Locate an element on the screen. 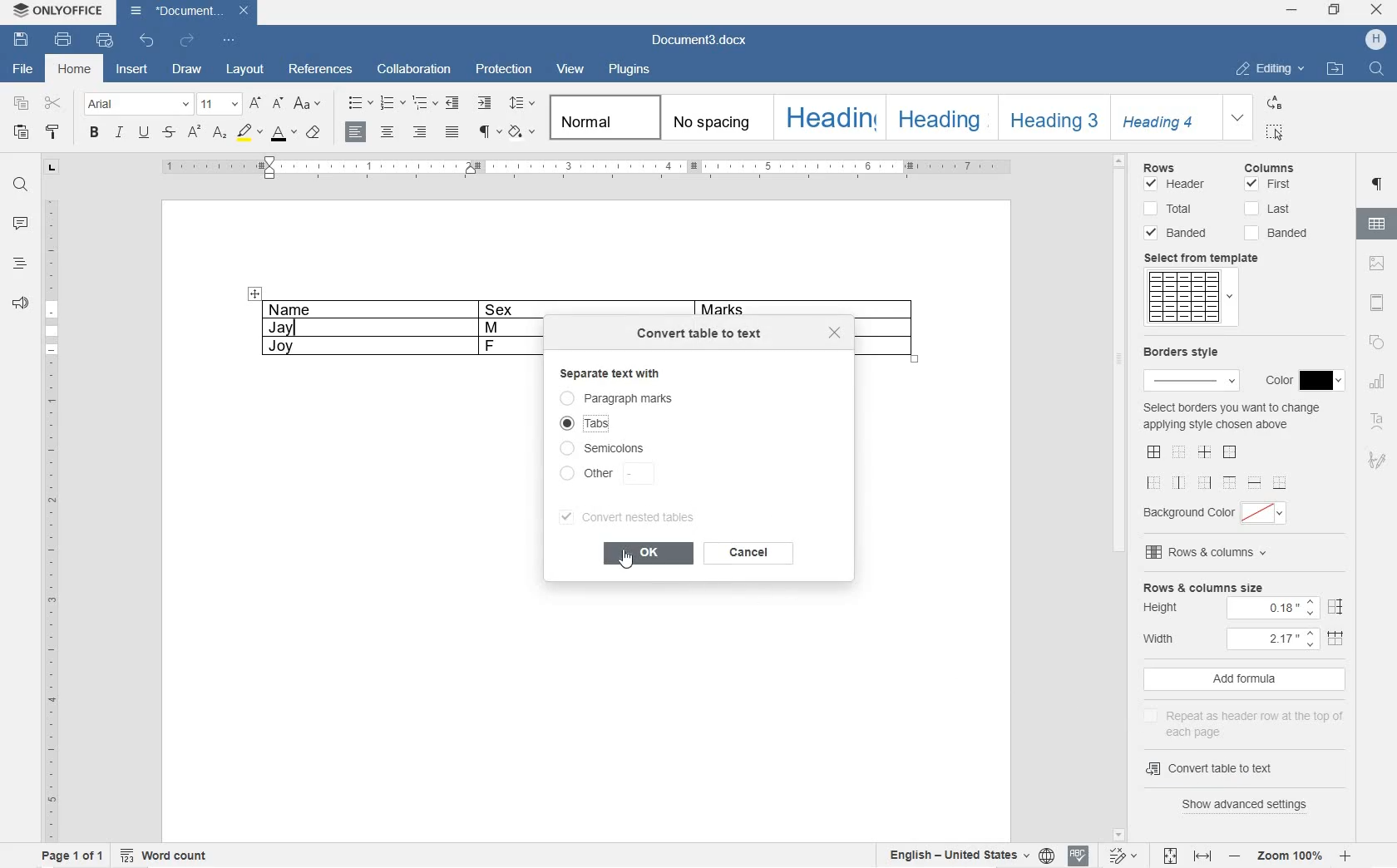 This screenshot has height=868, width=1397. CURSOR is located at coordinates (629, 566).